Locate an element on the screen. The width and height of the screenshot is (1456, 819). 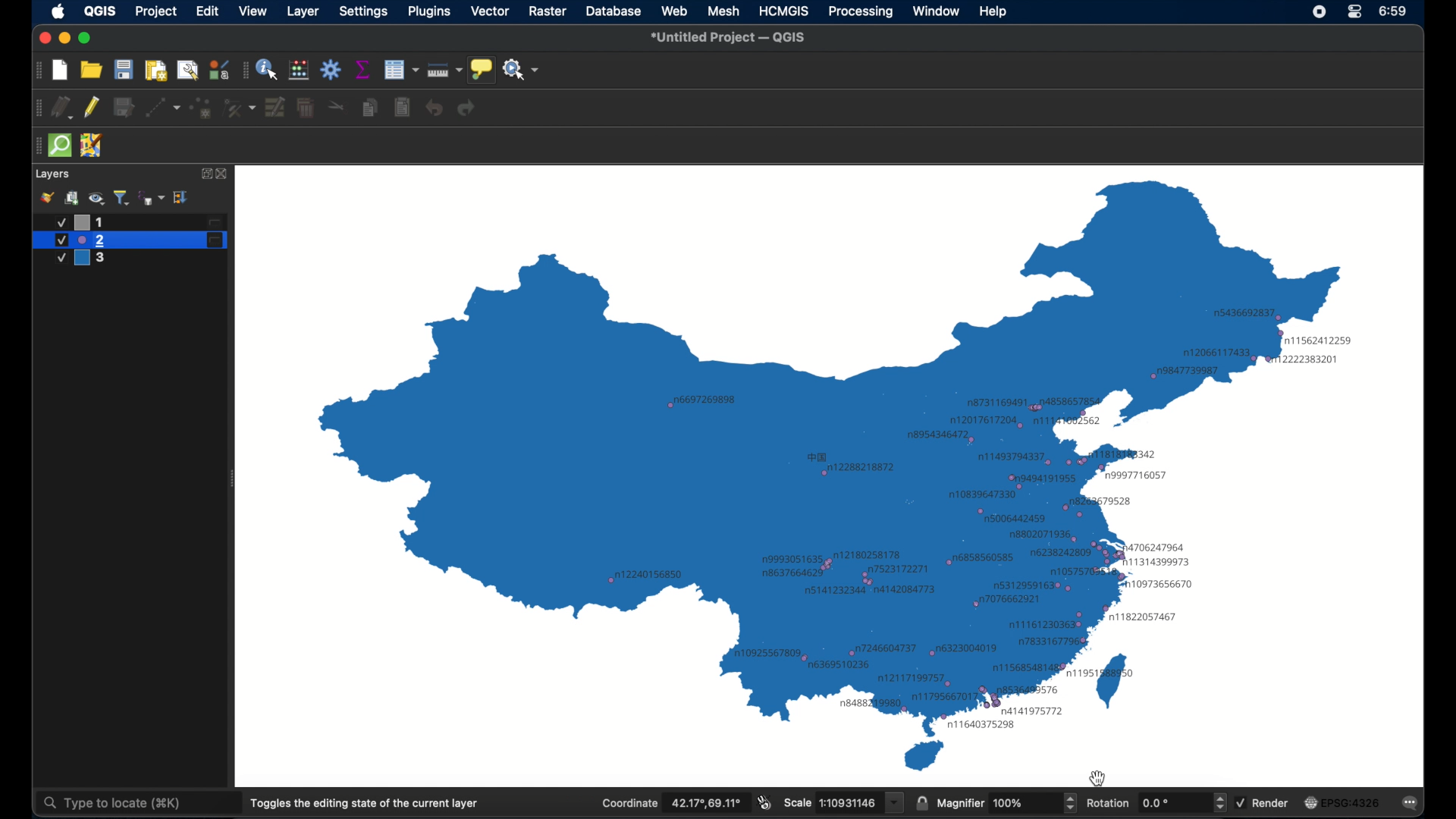
manage map theme is located at coordinates (96, 198).